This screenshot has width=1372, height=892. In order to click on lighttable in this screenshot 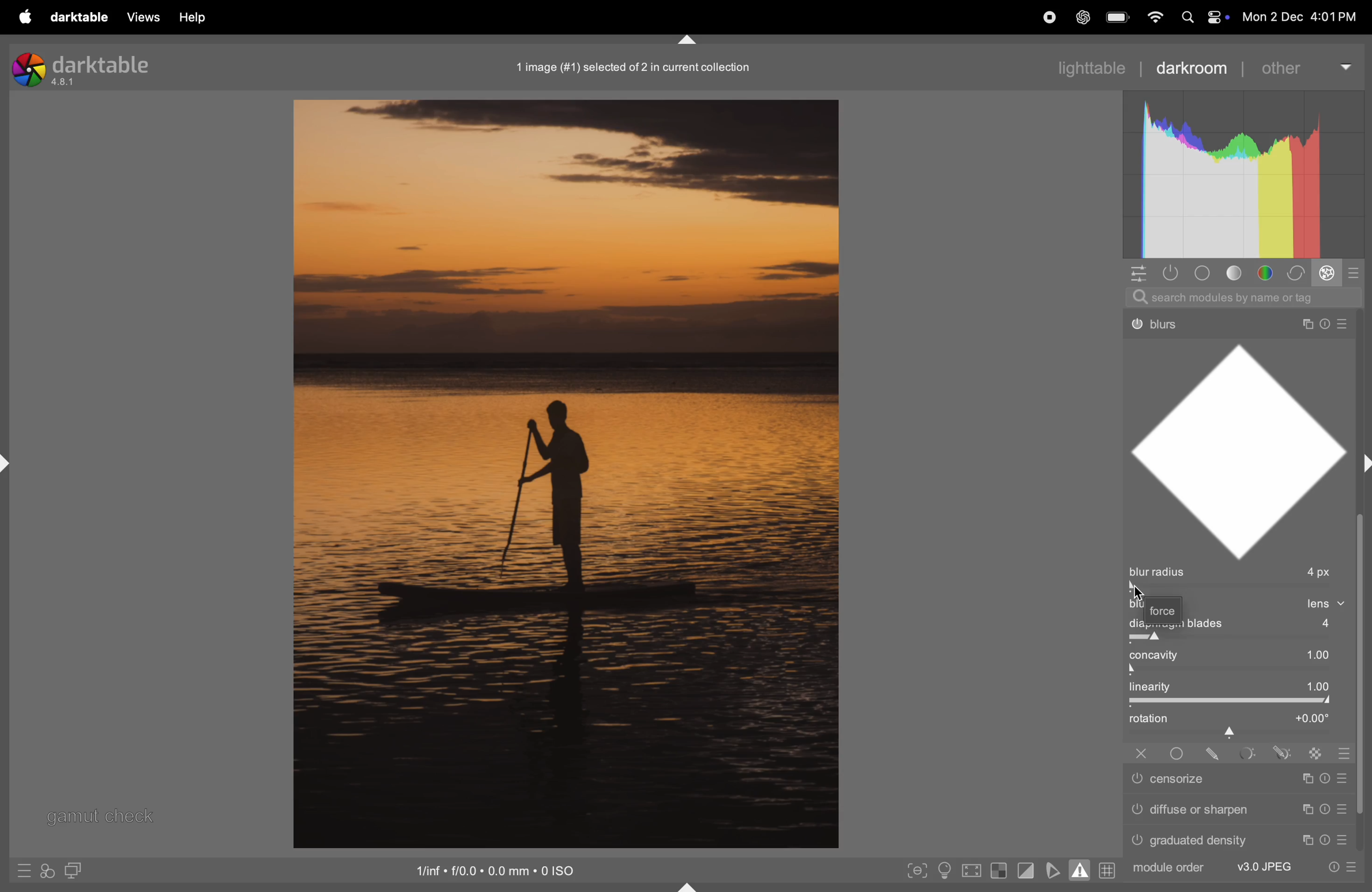, I will do `click(1065, 67)`.